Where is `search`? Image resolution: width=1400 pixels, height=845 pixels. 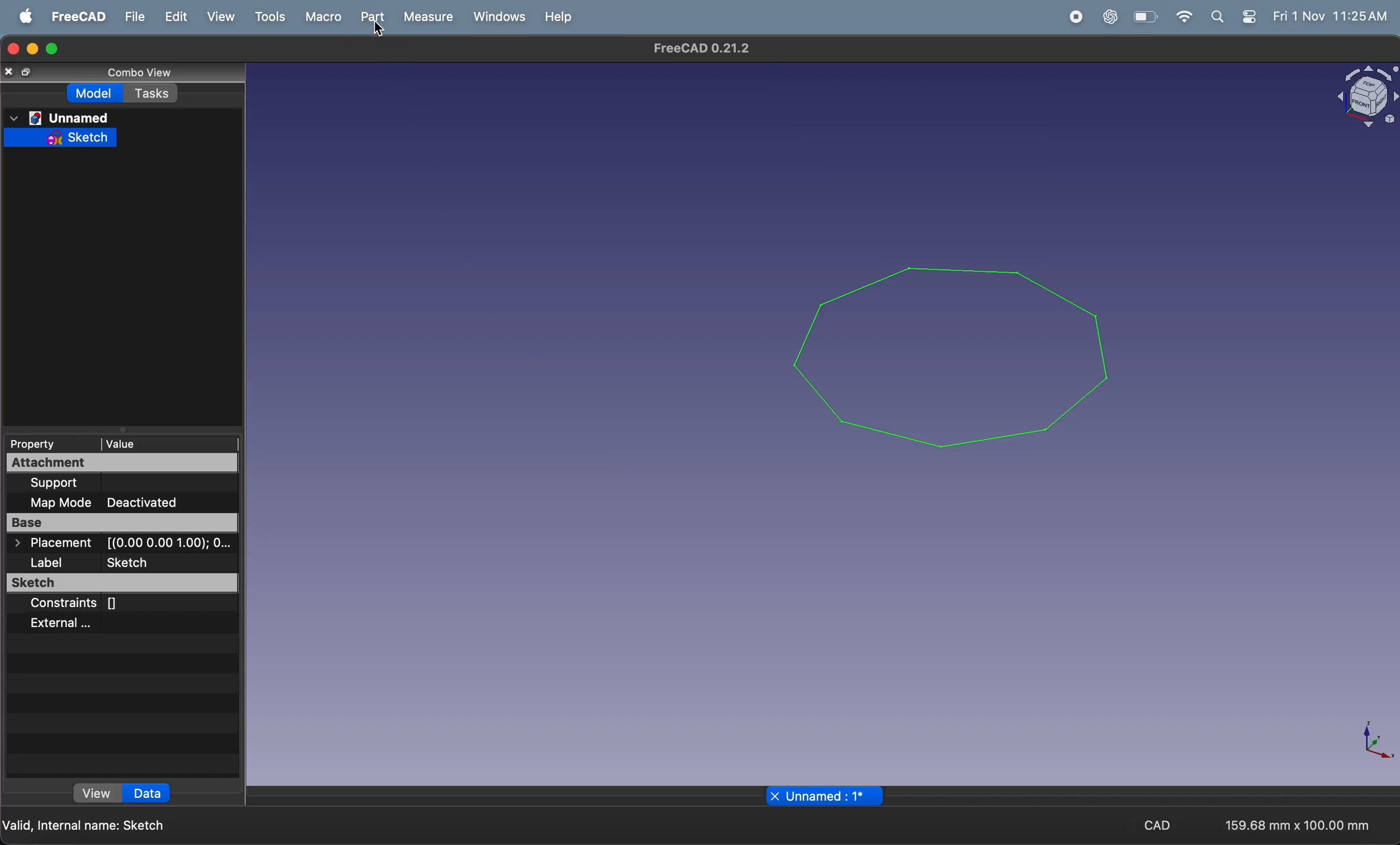
search is located at coordinates (1217, 16).